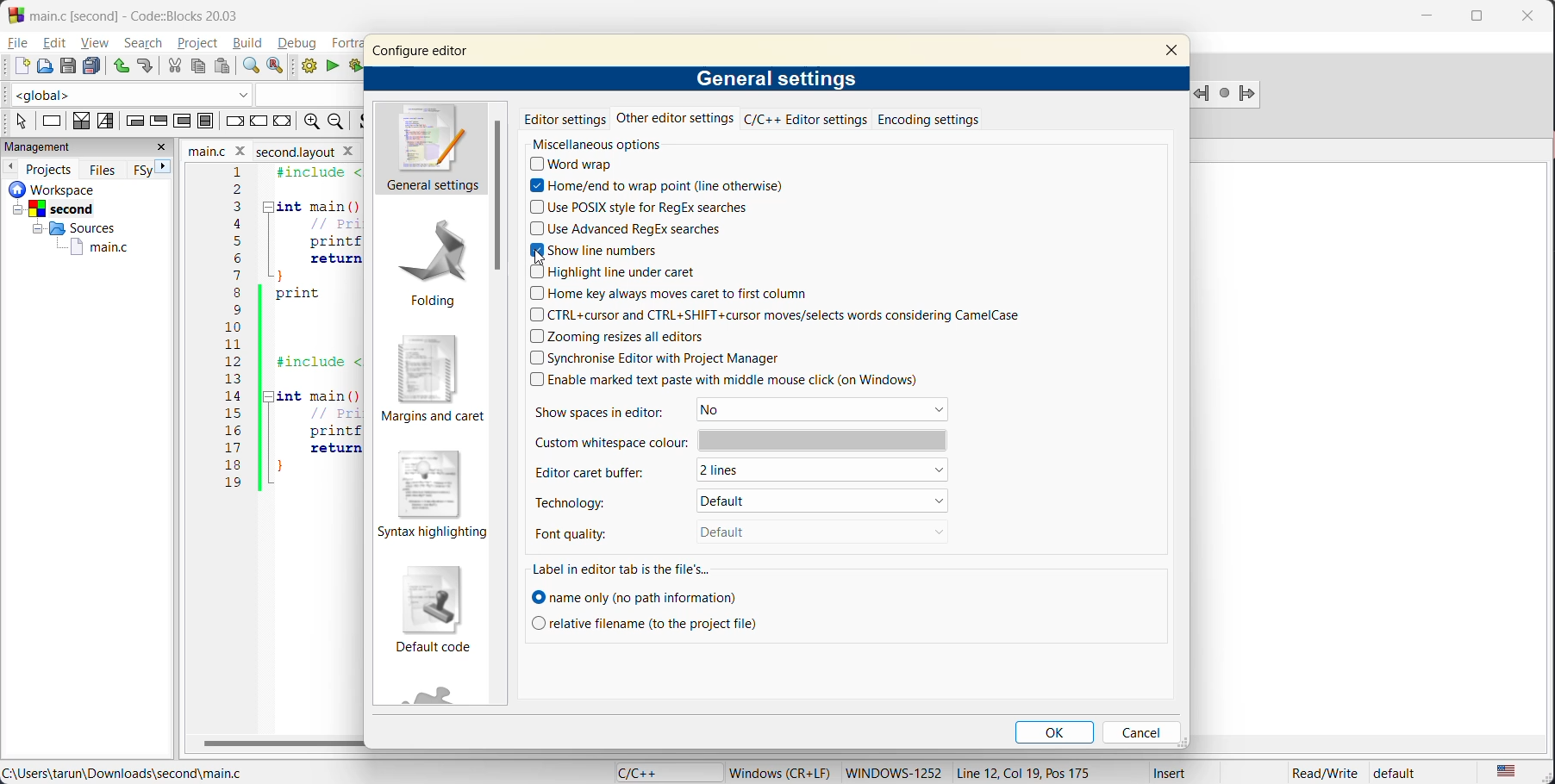  I want to click on undo, so click(118, 65).